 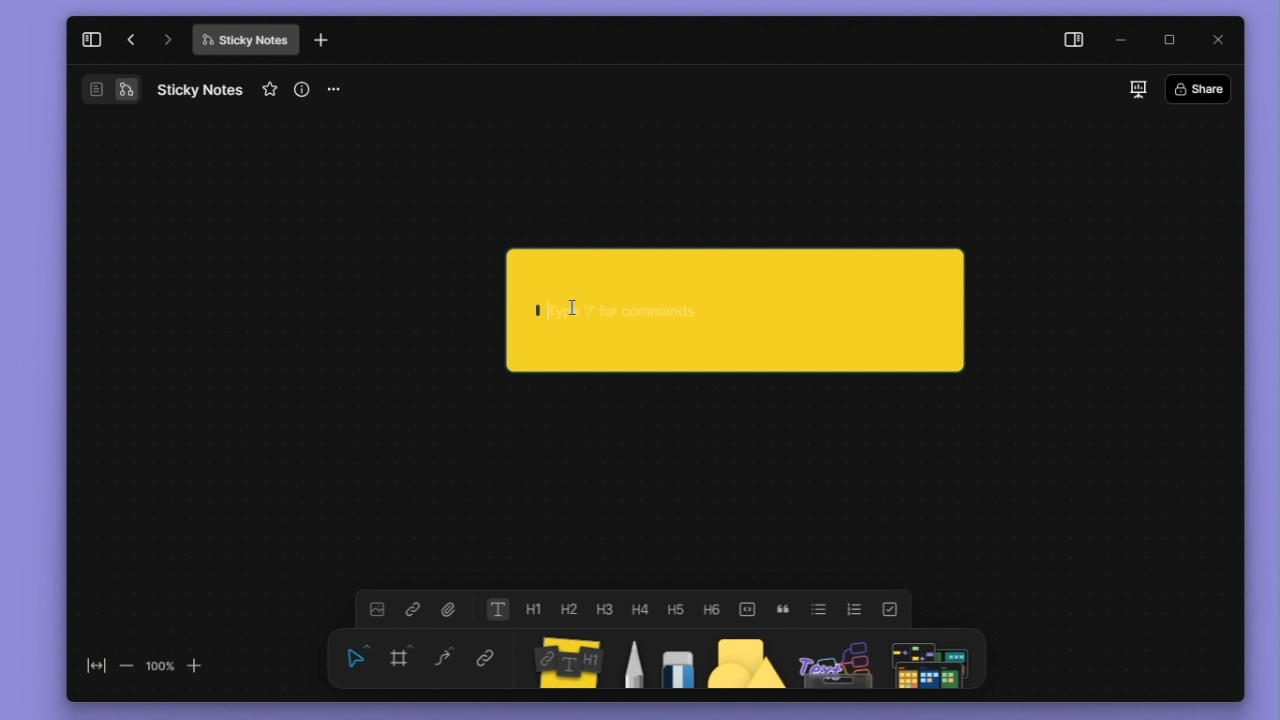 What do you see at coordinates (491, 658) in the screenshot?
I see `link` at bounding box center [491, 658].